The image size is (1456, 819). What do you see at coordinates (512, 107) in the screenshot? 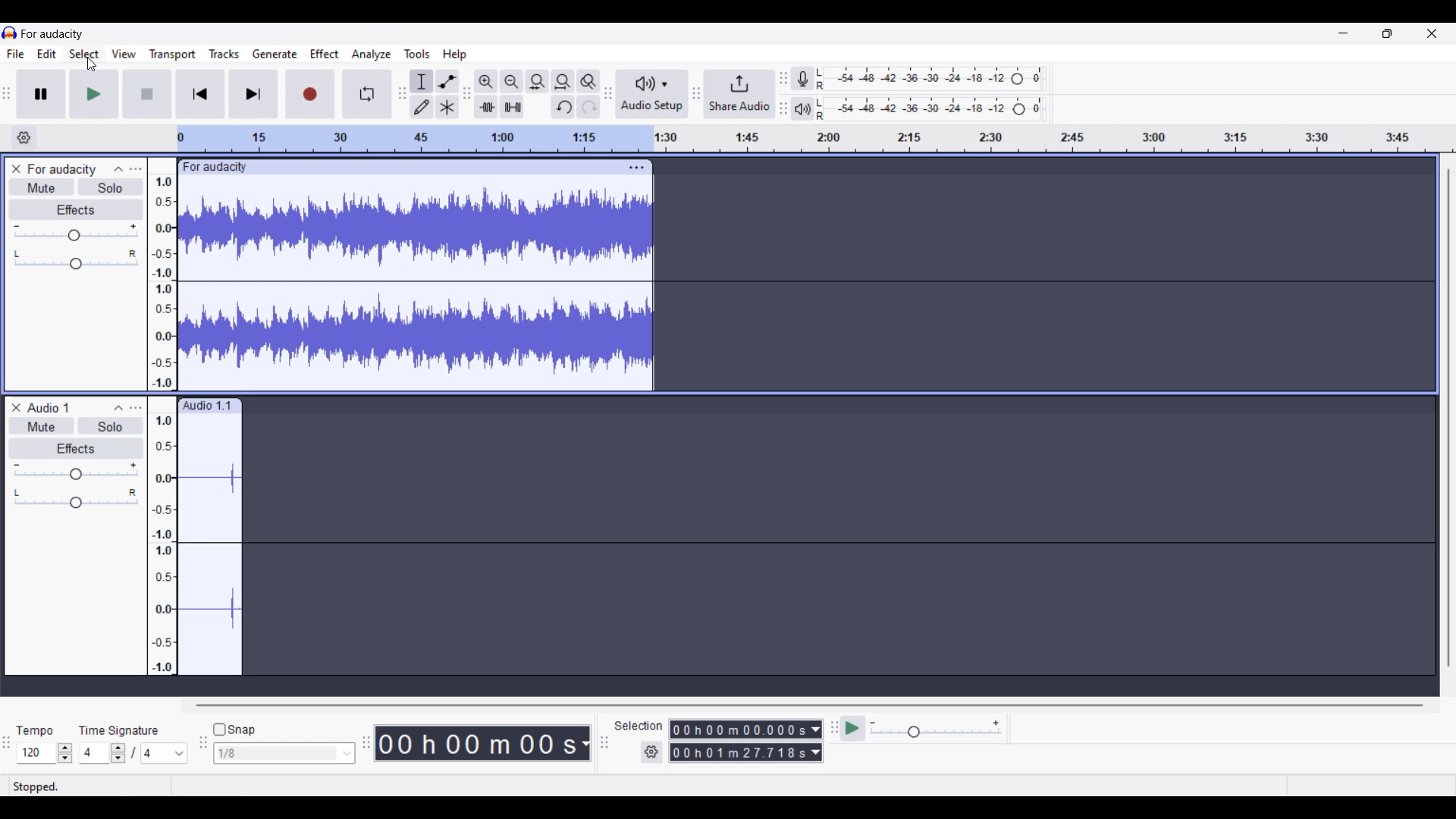
I see `Silence audio selection` at bounding box center [512, 107].